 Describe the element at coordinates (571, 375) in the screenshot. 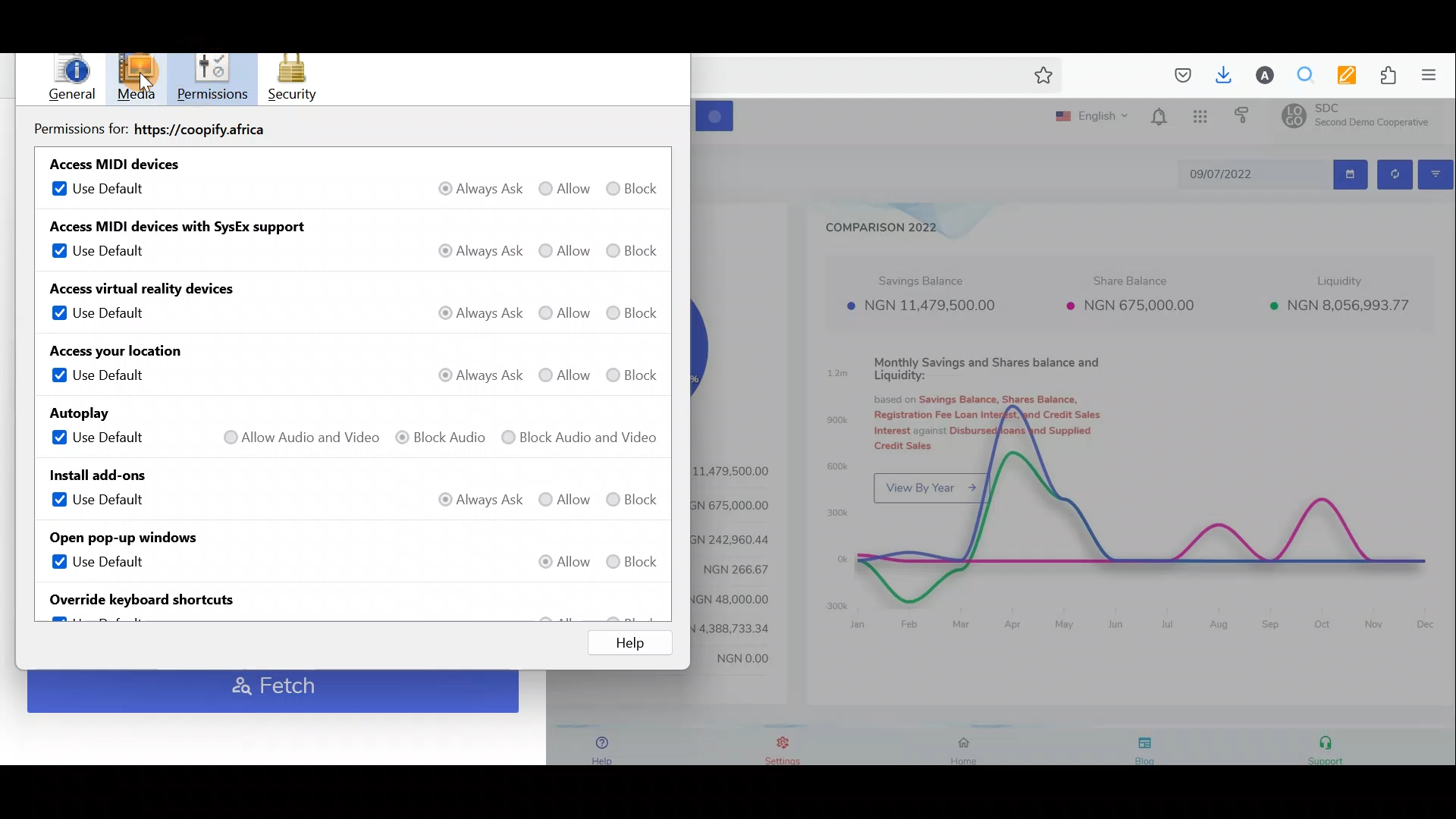

I see `Allow` at that location.